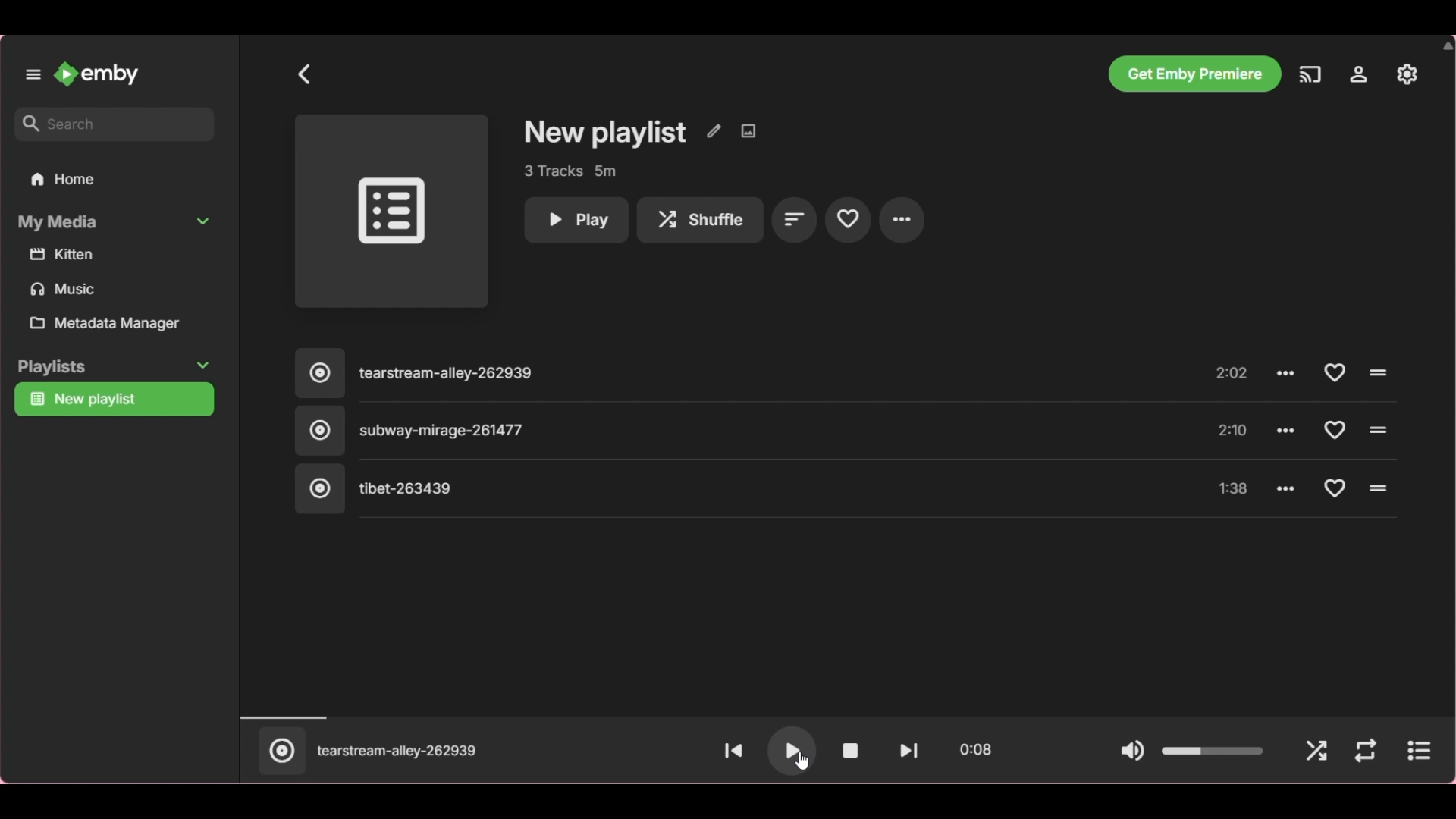 This screenshot has height=819, width=1456. What do you see at coordinates (33, 75) in the screenshot?
I see `Unpin left panel` at bounding box center [33, 75].